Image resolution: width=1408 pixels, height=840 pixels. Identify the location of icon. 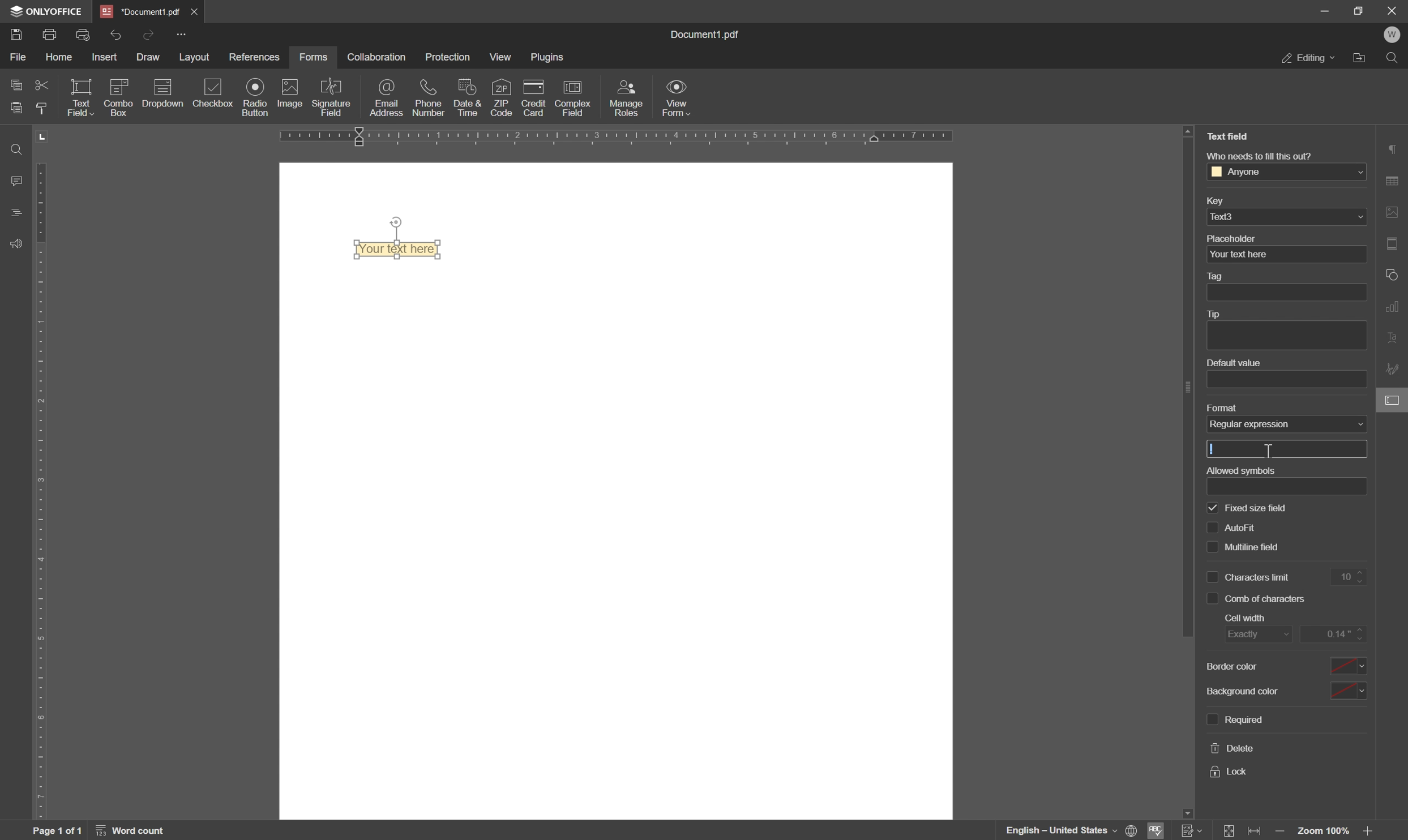
(117, 96).